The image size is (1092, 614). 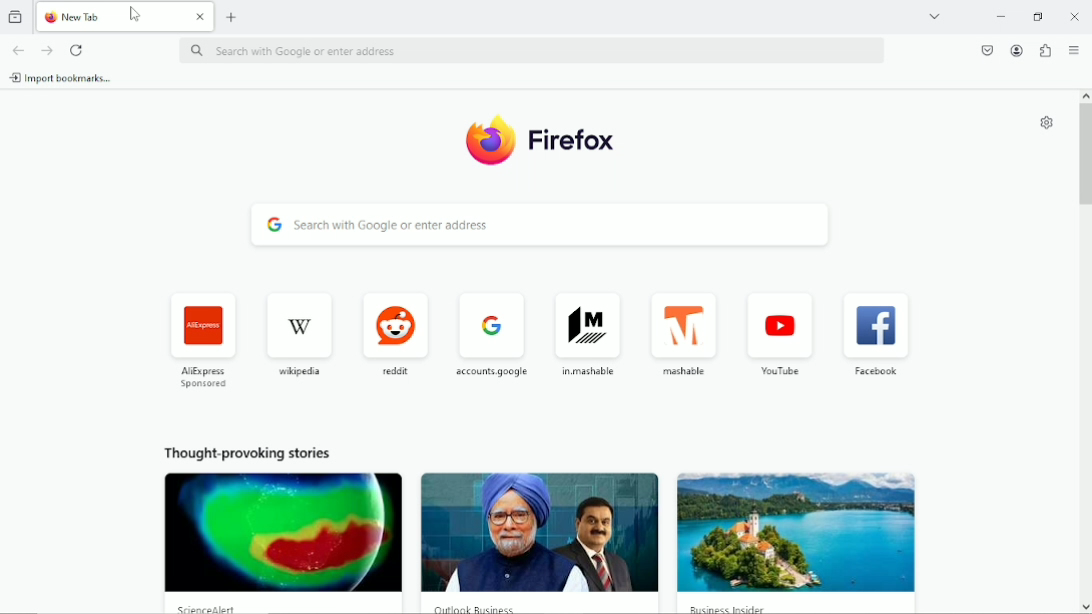 What do you see at coordinates (541, 225) in the screenshot?
I see `search bar` at bounding box center [541, 225].